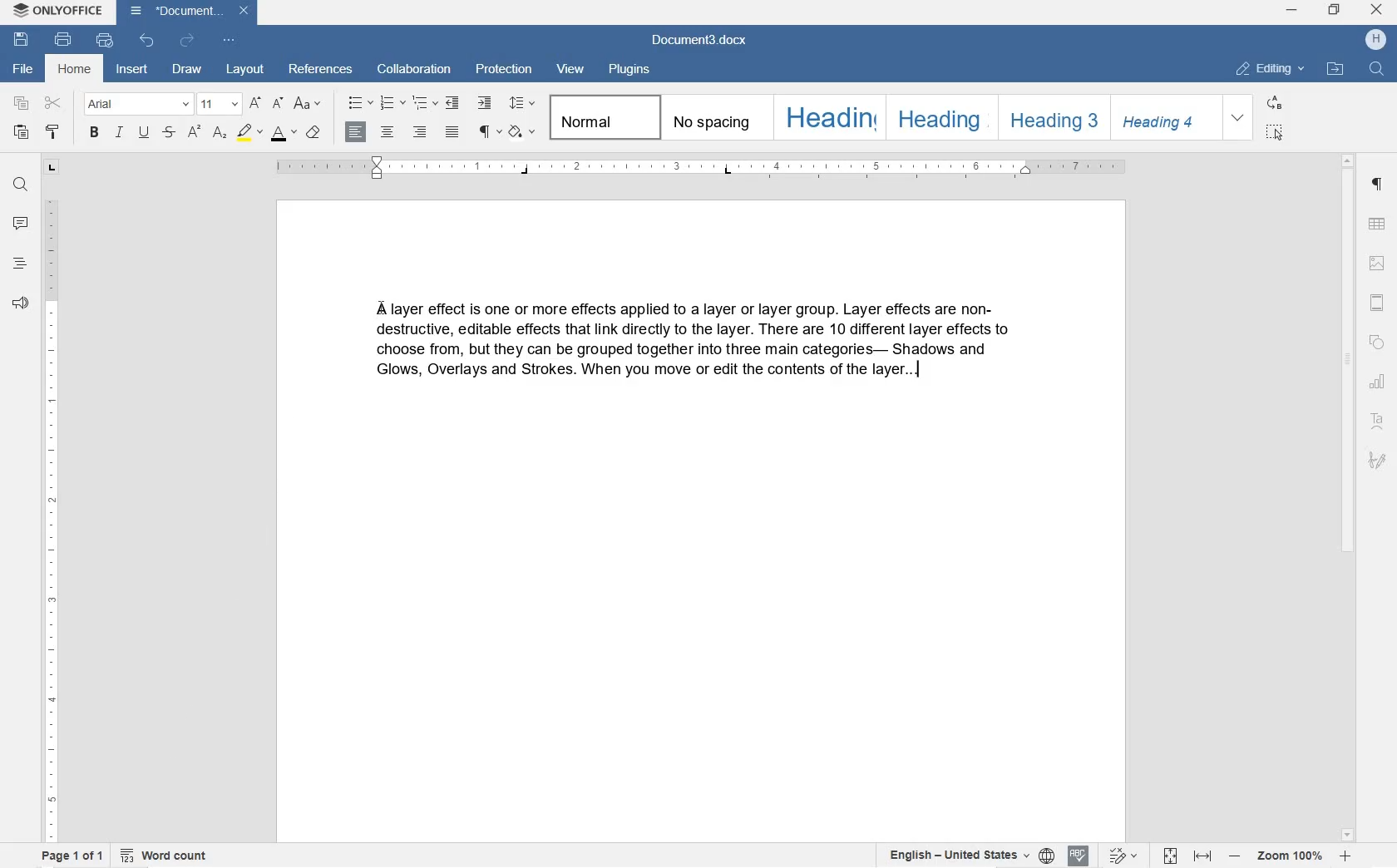  I want to click on ONLYOFFICE, so click(57, 12).